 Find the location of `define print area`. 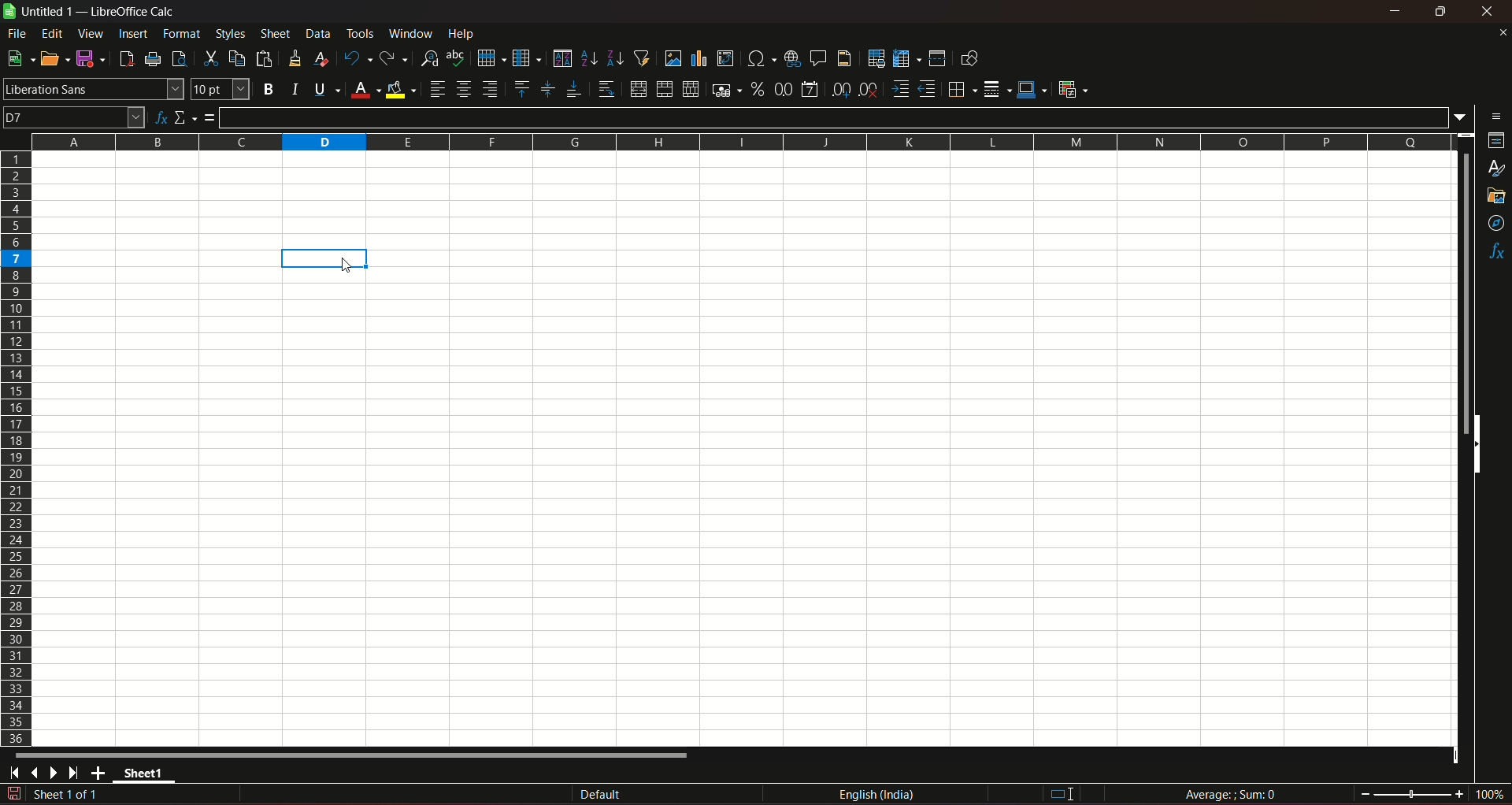

define print area is located at coordinates (876, 59).